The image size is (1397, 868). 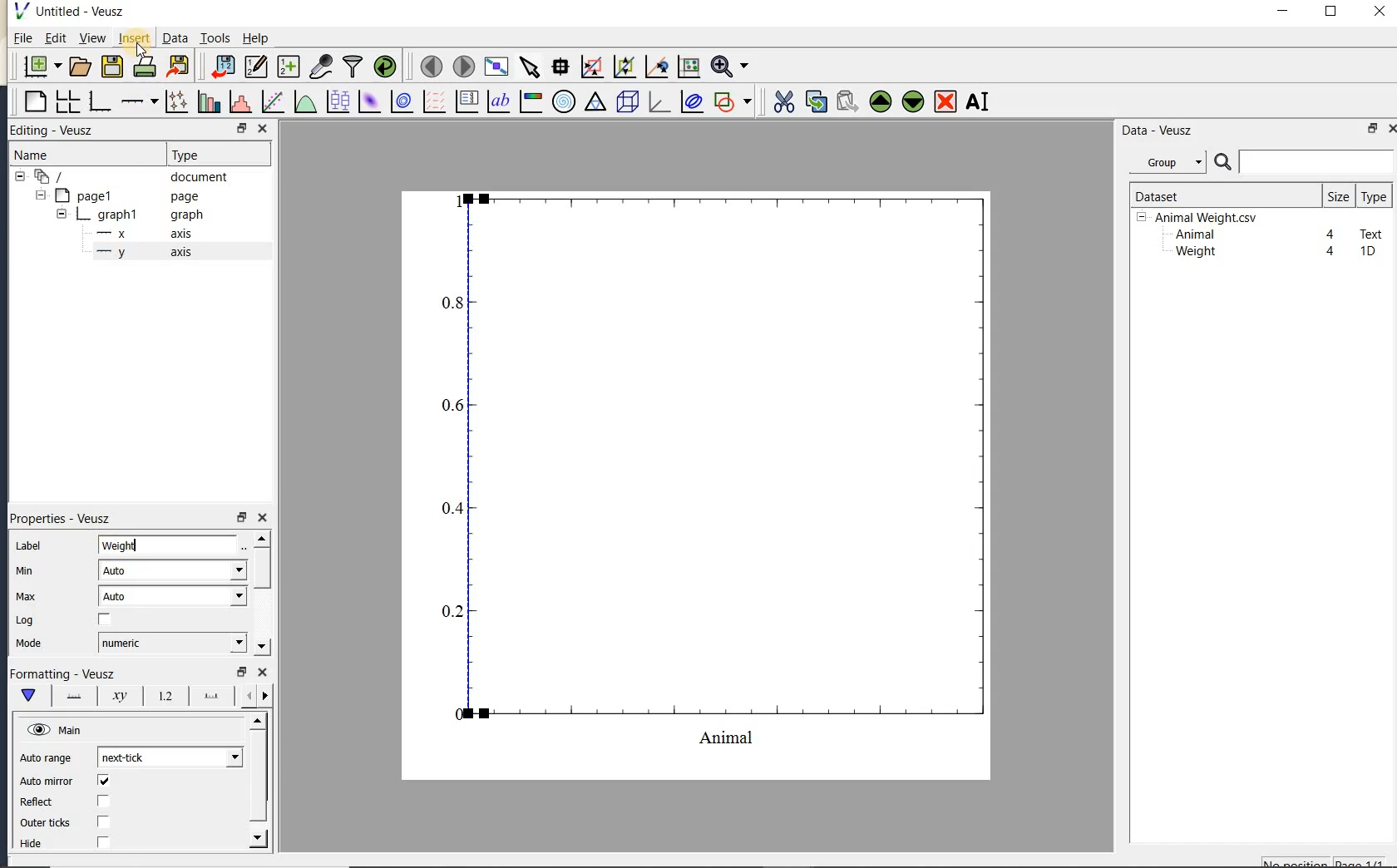 What do you see at coordinates (41, 844) in the screenshot?
I see `hide` at bounding box center [41, 844].